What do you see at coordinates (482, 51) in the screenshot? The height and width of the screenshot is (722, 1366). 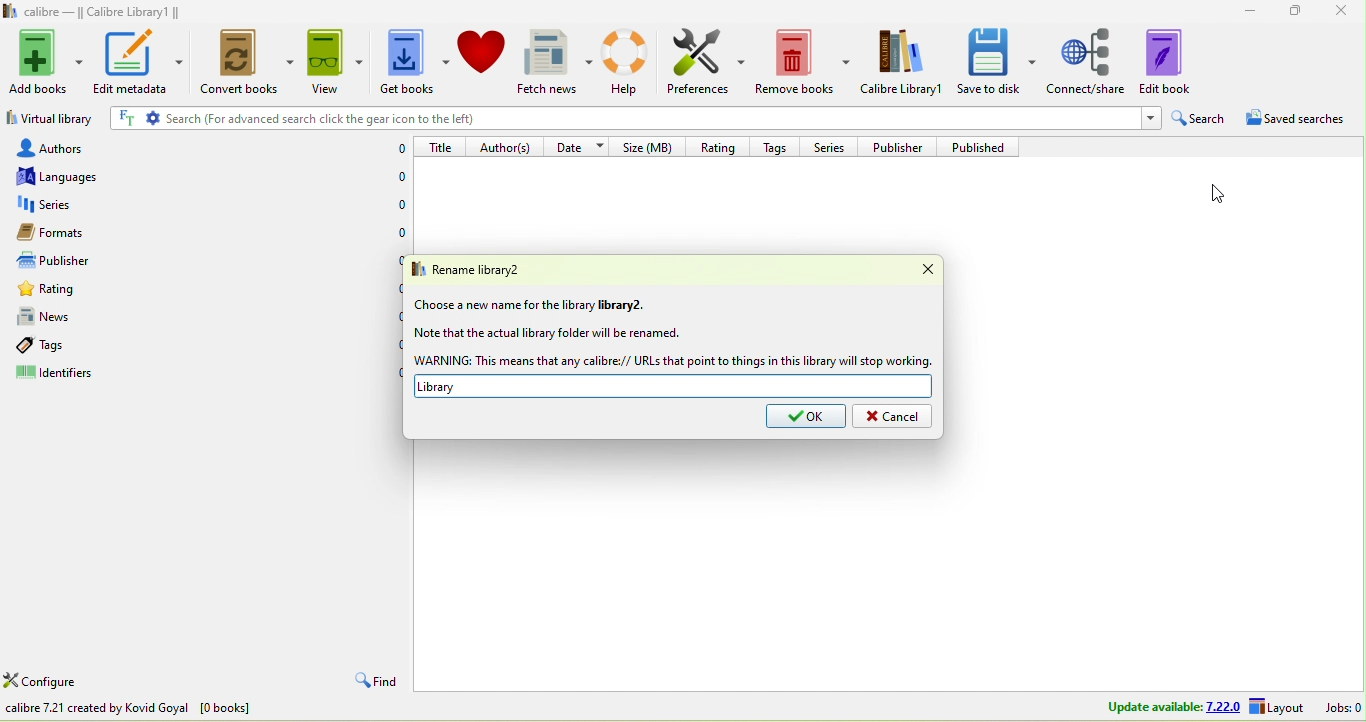 I see `donate` at bounding box center [482, 51].